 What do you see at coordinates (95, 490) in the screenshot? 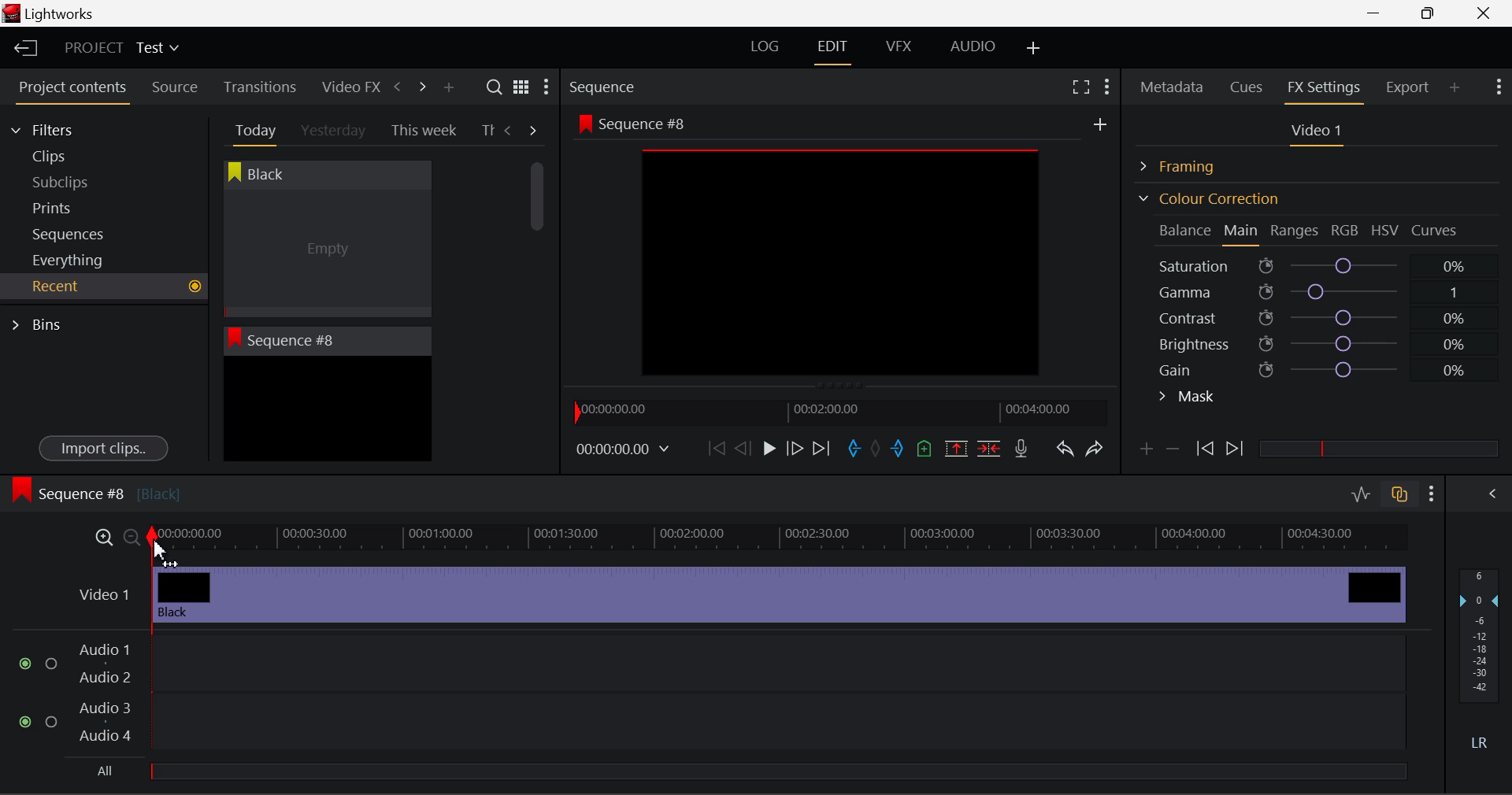
I see `Sequence #8` at bounding box center [95, 490].